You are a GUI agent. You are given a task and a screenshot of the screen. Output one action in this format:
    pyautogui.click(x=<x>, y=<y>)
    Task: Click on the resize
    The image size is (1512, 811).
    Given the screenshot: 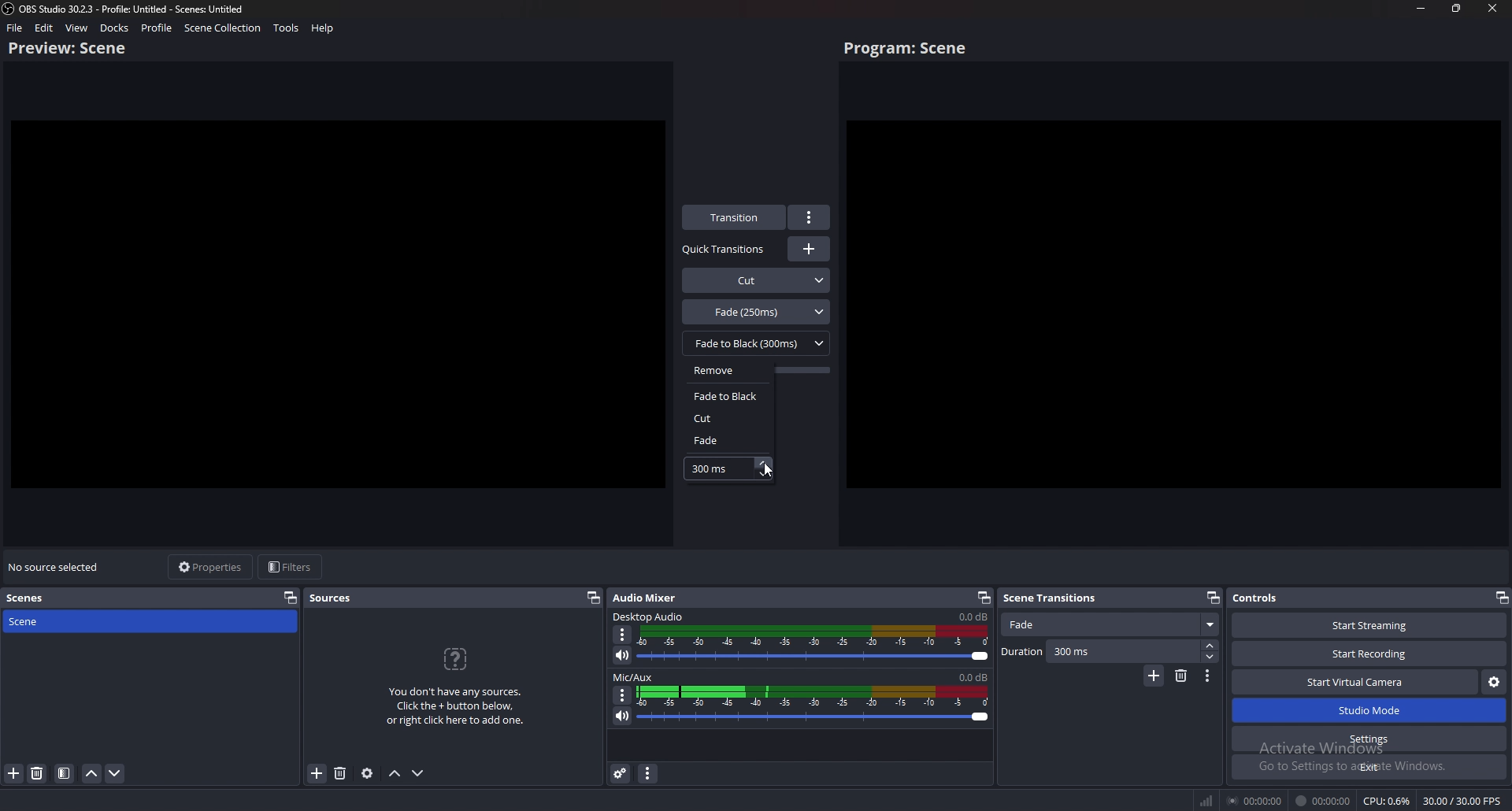 What is the action you would take?
    pyautogui.click(x=1457, y=8)
    